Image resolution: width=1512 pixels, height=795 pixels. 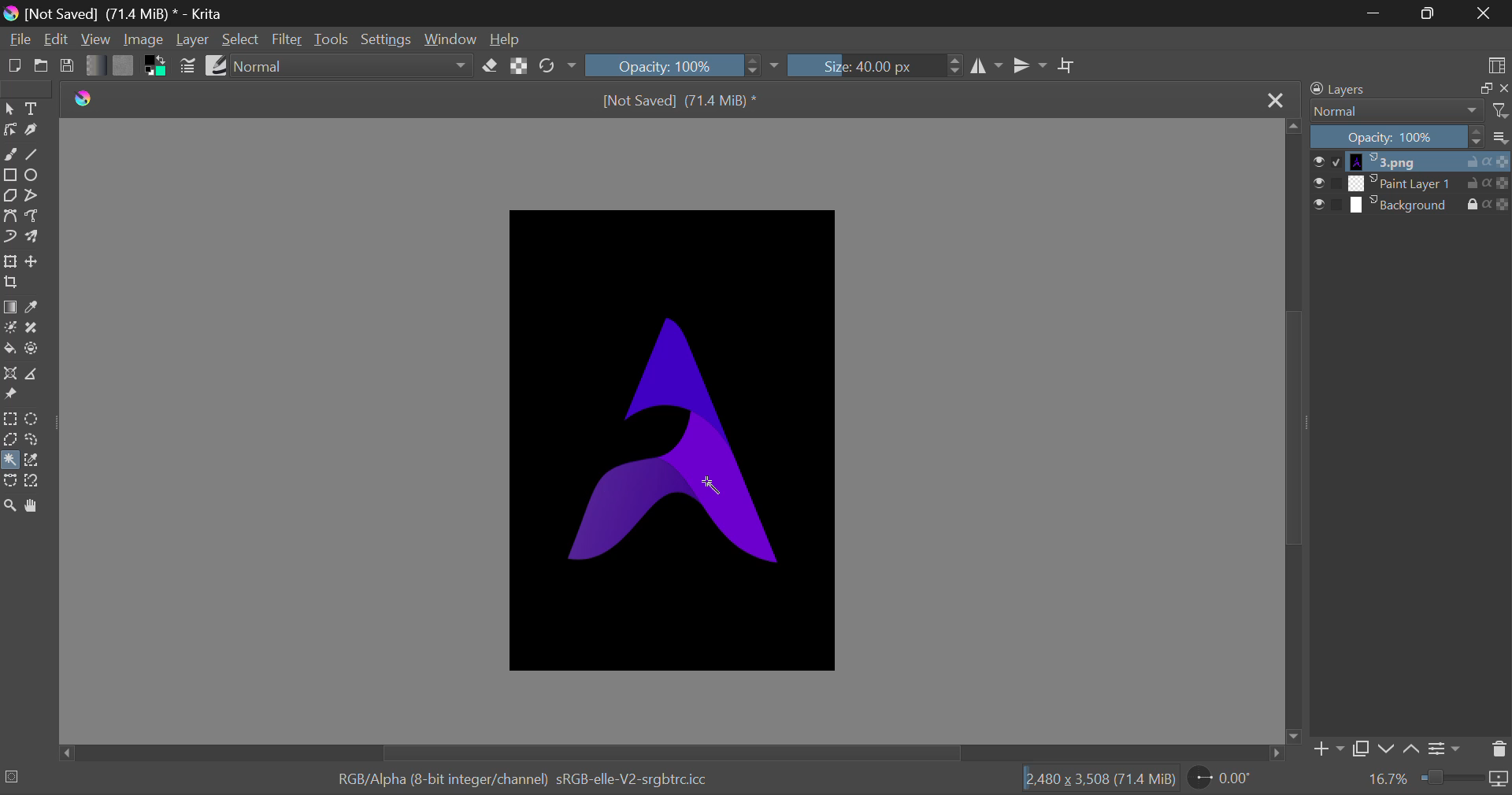 I want to click on Smart Patch Tool, so click(x=36, y=328).